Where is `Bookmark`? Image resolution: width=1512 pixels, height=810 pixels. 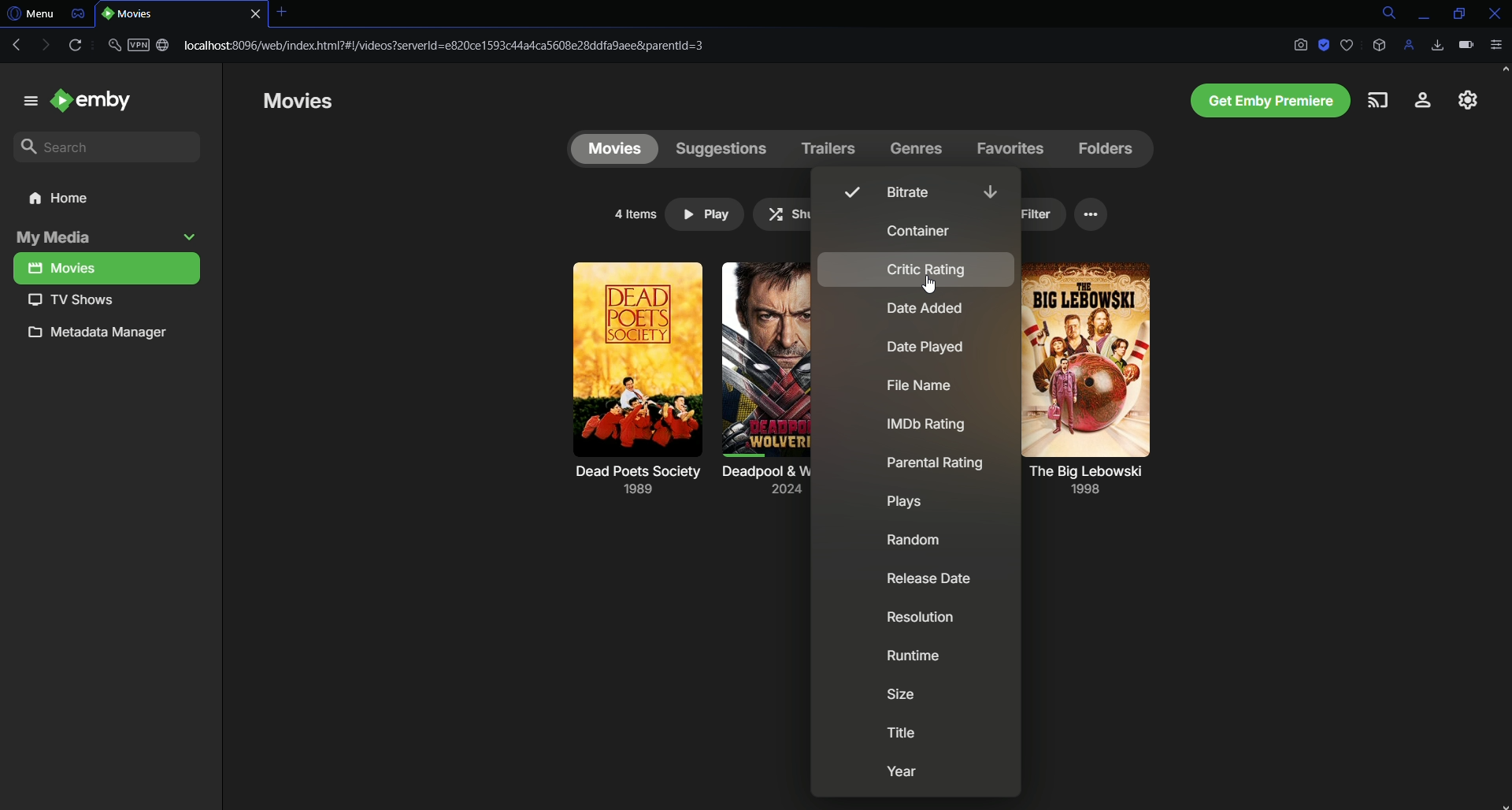 Bookmark is located at coordinates (1347, 44).